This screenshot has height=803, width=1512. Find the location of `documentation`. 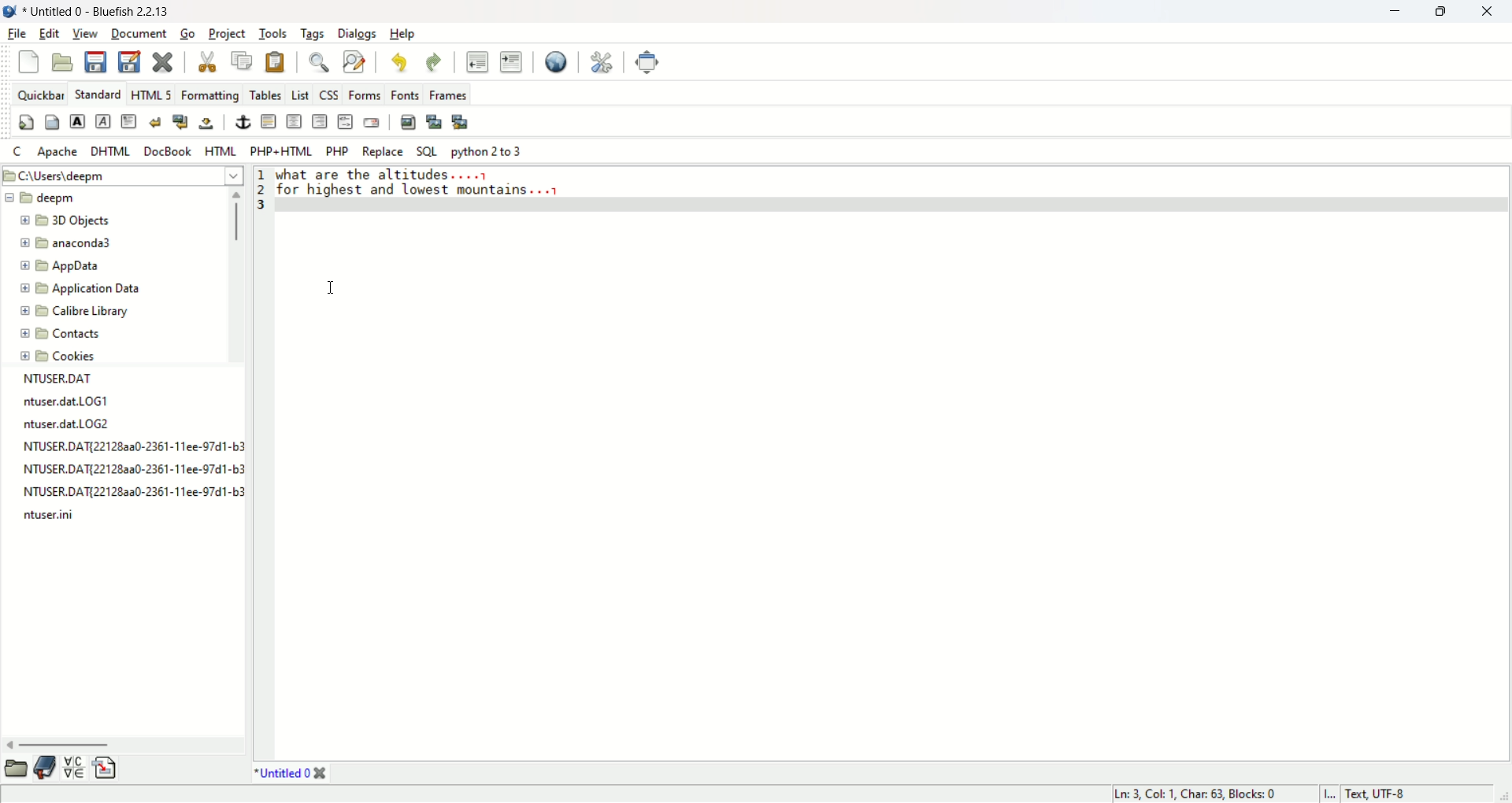

documentation is located at coordinates (45, 766).